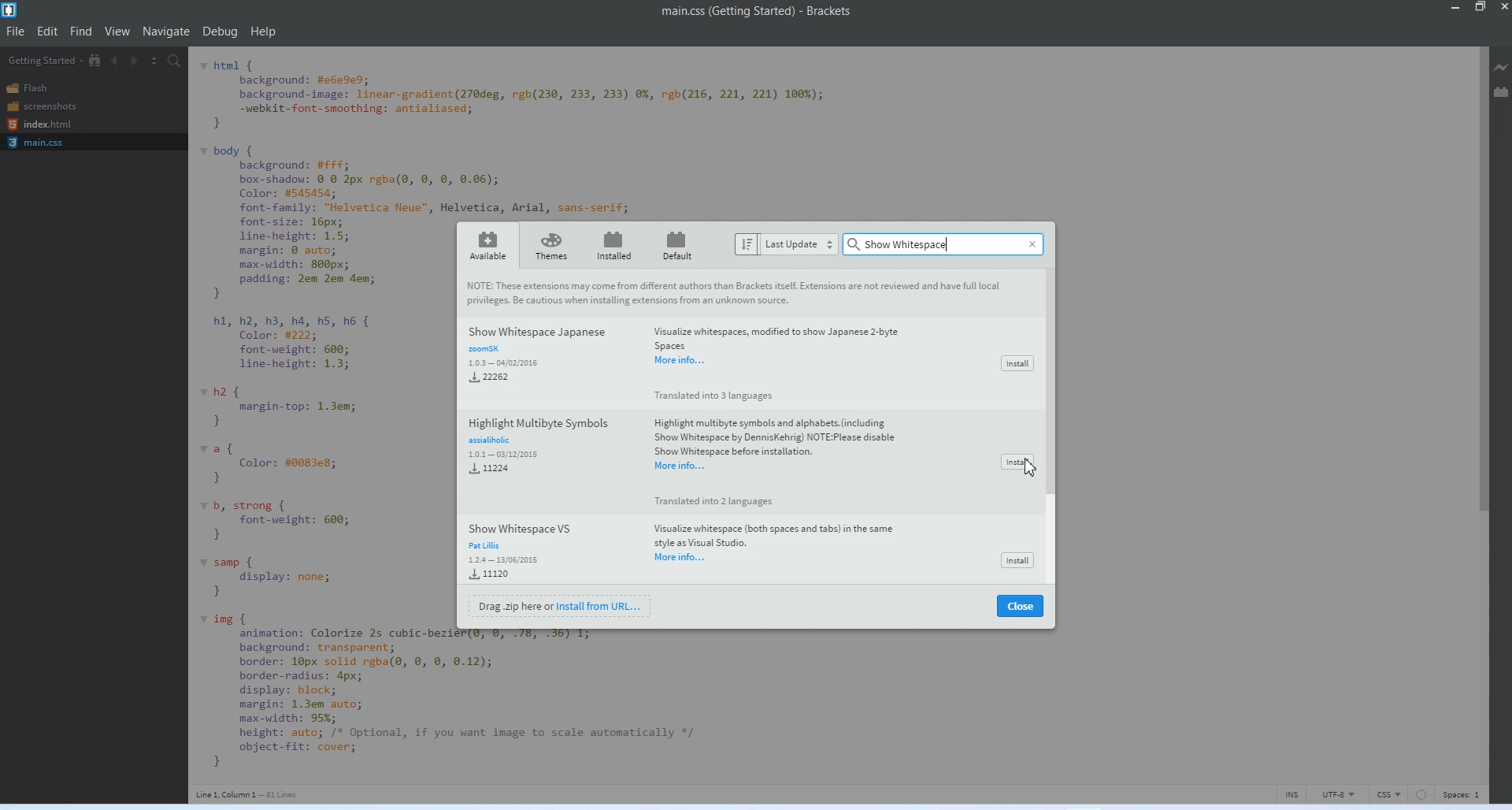 The image size is (1512, 810). I want to click on Show Whitespace VS, so click(695, 550).